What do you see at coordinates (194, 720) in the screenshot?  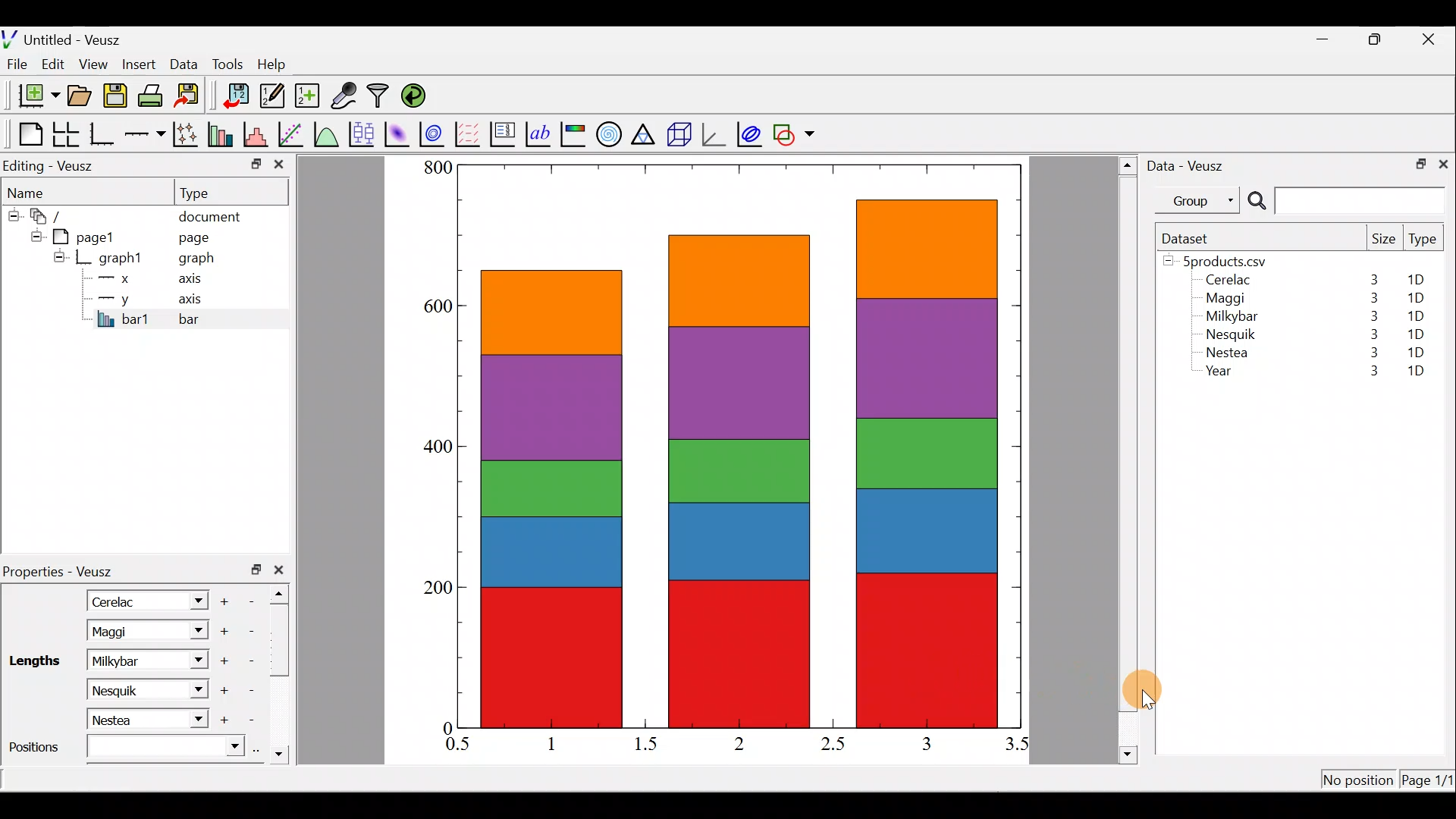 I see `Length dropdown` at bounding box center [194, 720].